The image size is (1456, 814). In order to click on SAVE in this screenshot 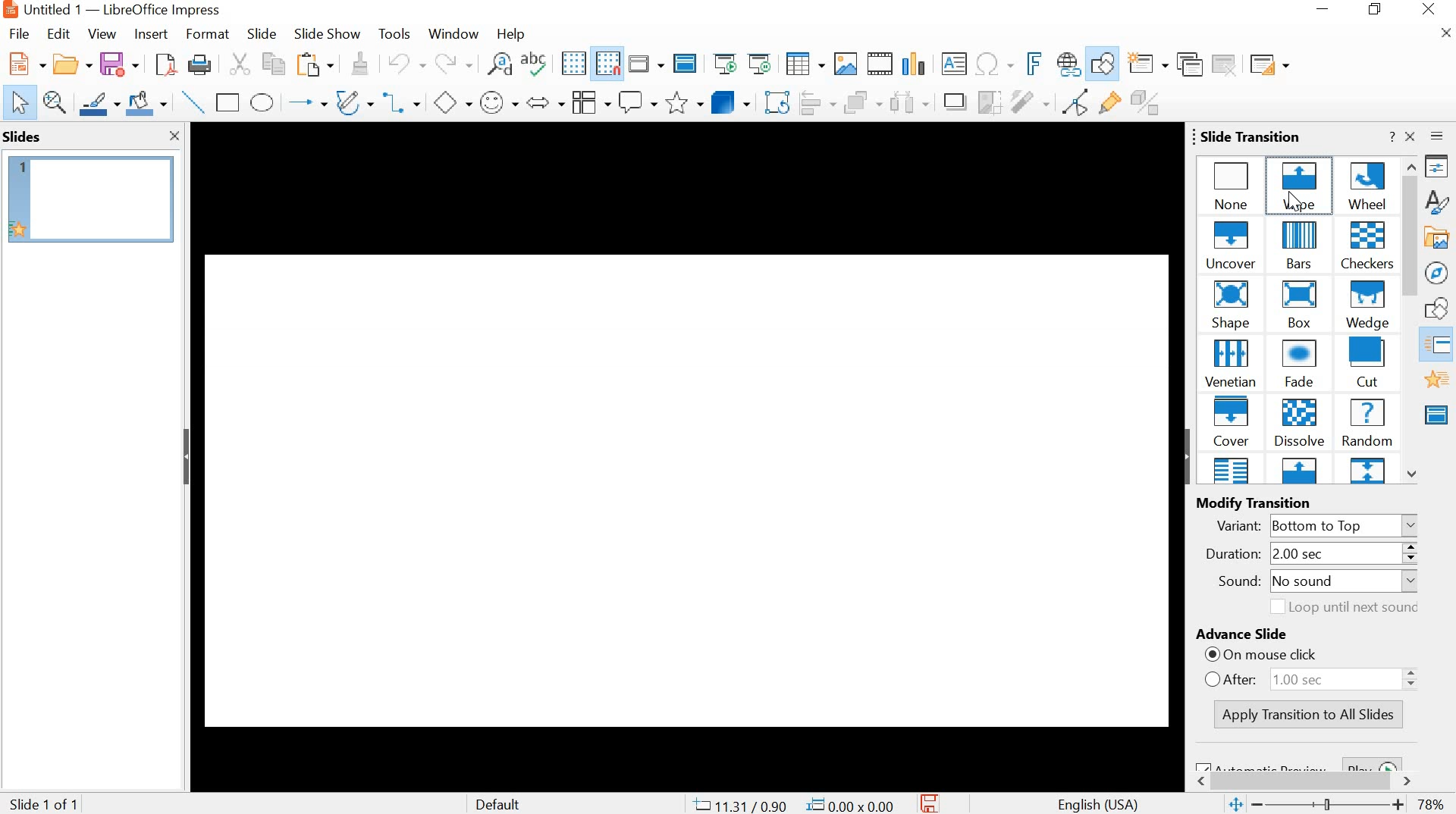, I will do `click(120, 61)`.